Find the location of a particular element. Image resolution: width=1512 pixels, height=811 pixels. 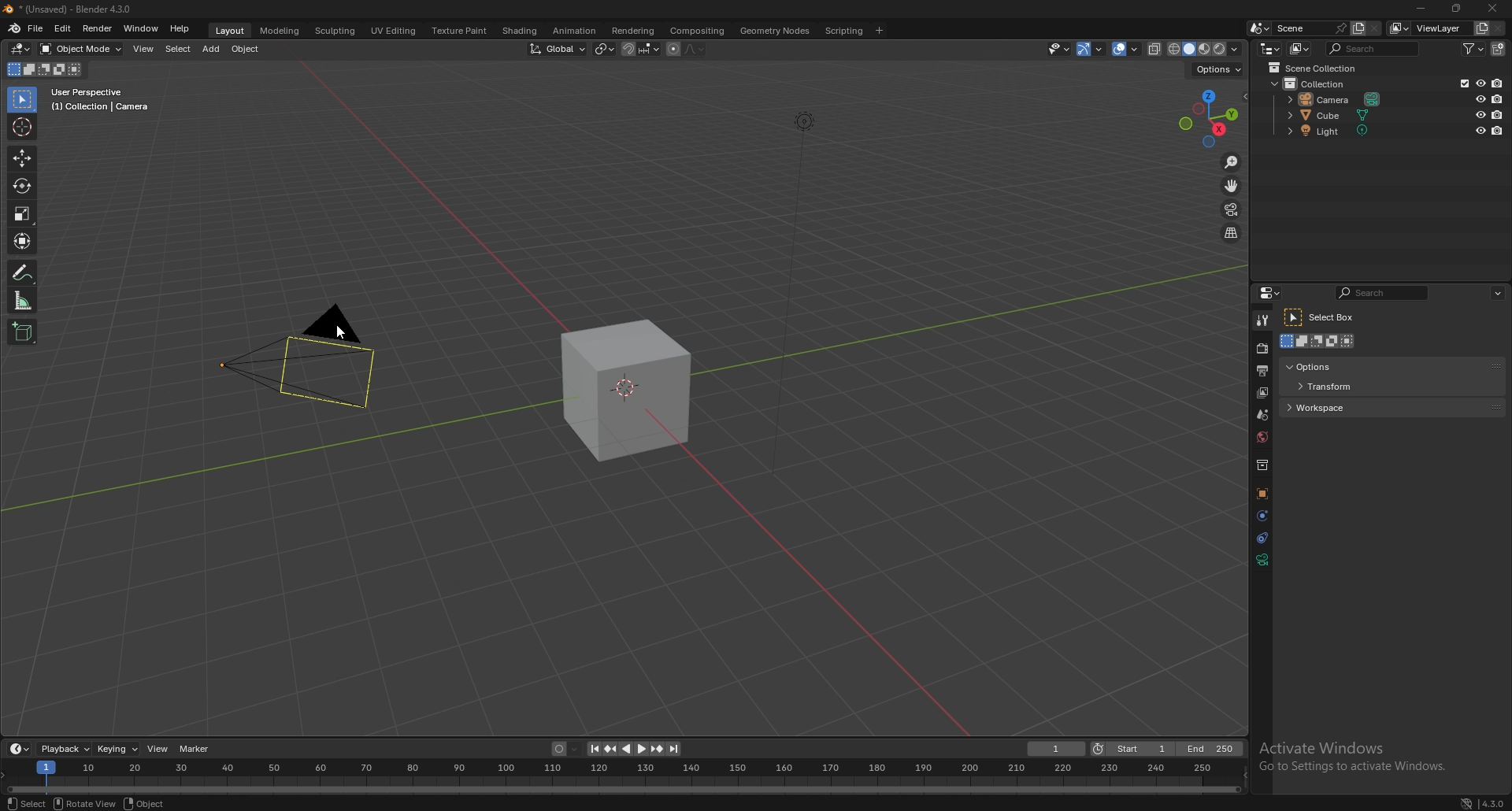

toggle xray is located at coordinates (1155, 49).